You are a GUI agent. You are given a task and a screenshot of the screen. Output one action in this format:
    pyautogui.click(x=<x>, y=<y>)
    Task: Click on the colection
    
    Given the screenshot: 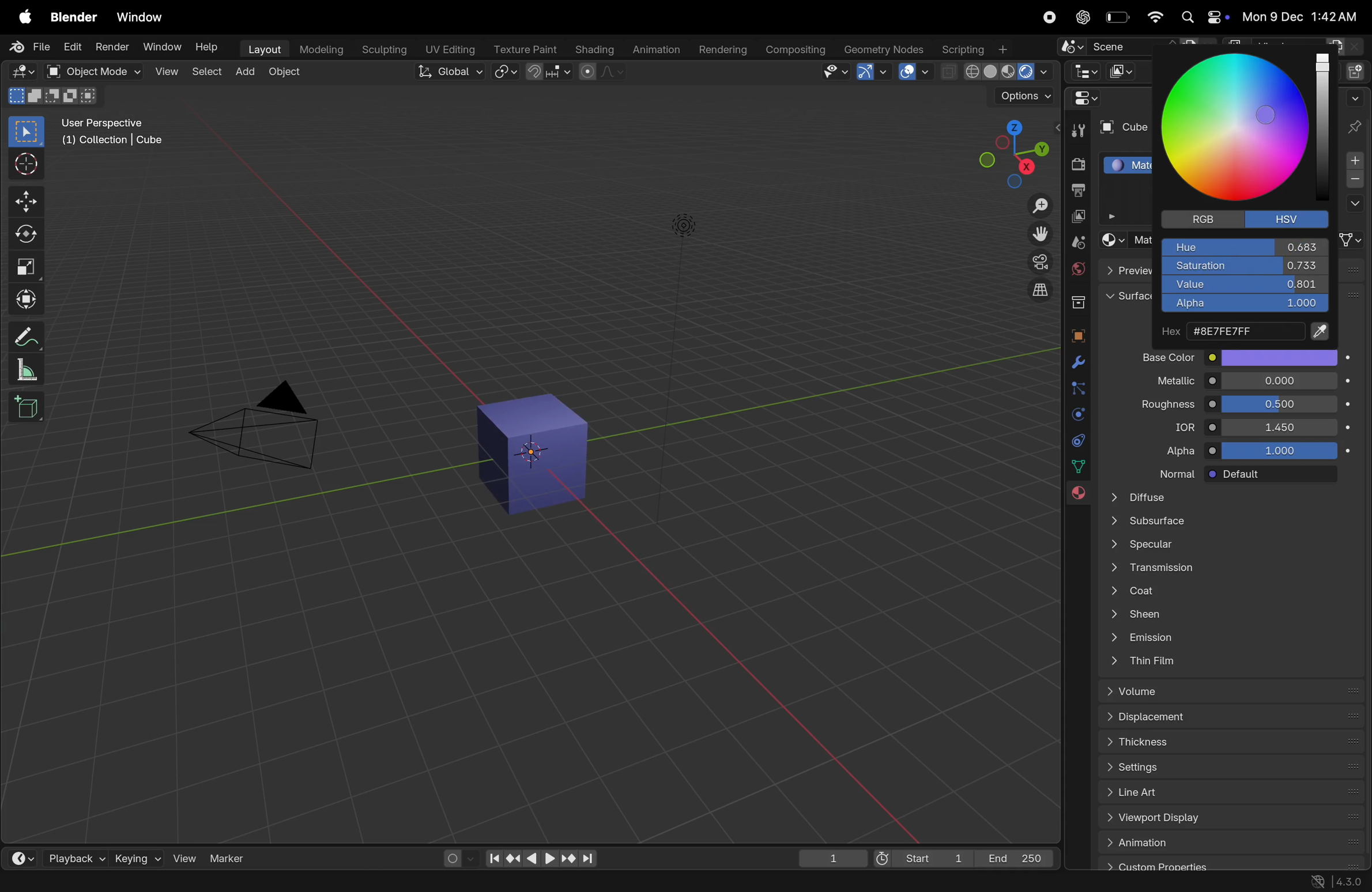 What is the action you would take?
    pyautogui.click(x=1076, y=298)
    